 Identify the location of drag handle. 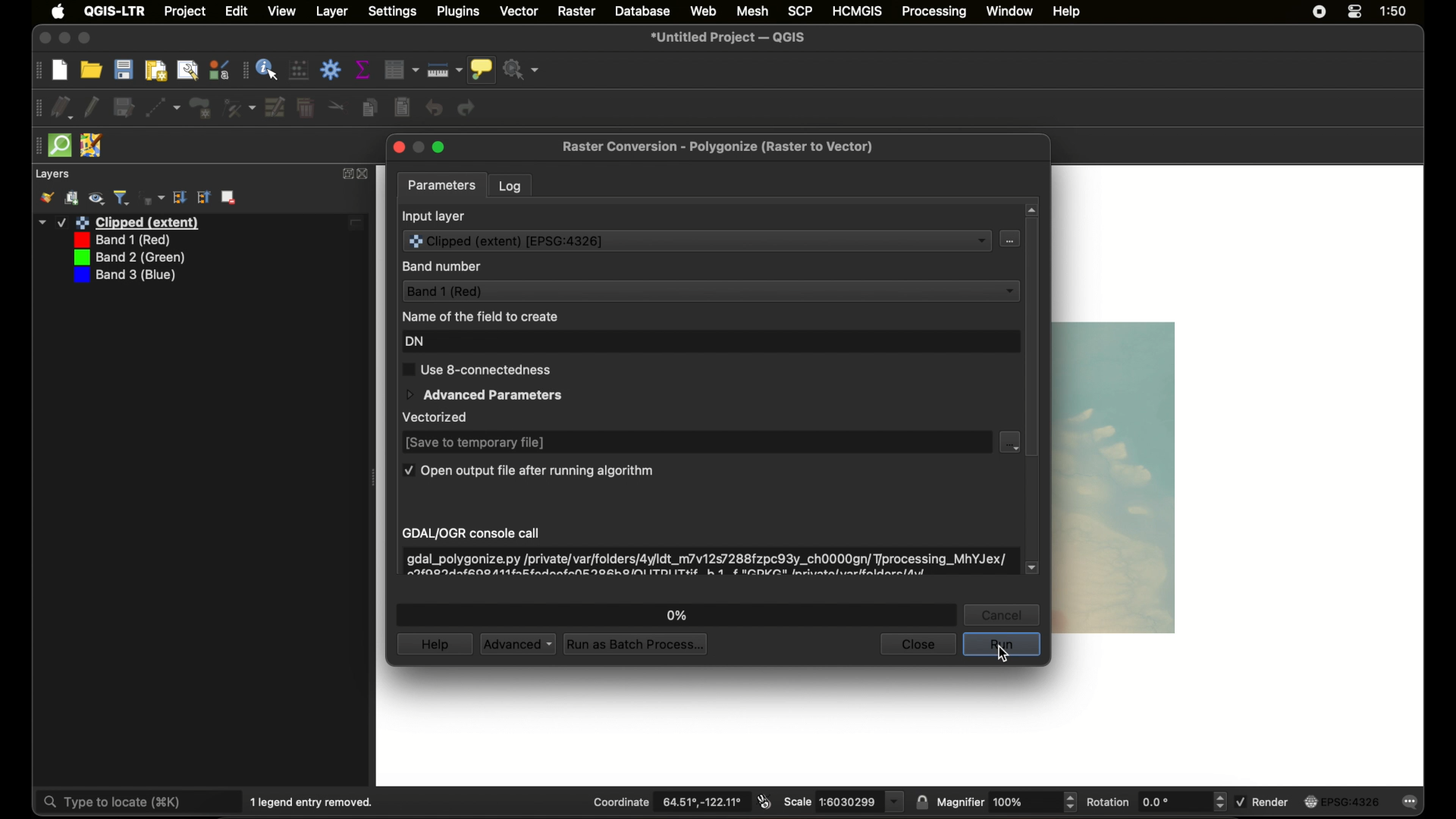
(243, 71).